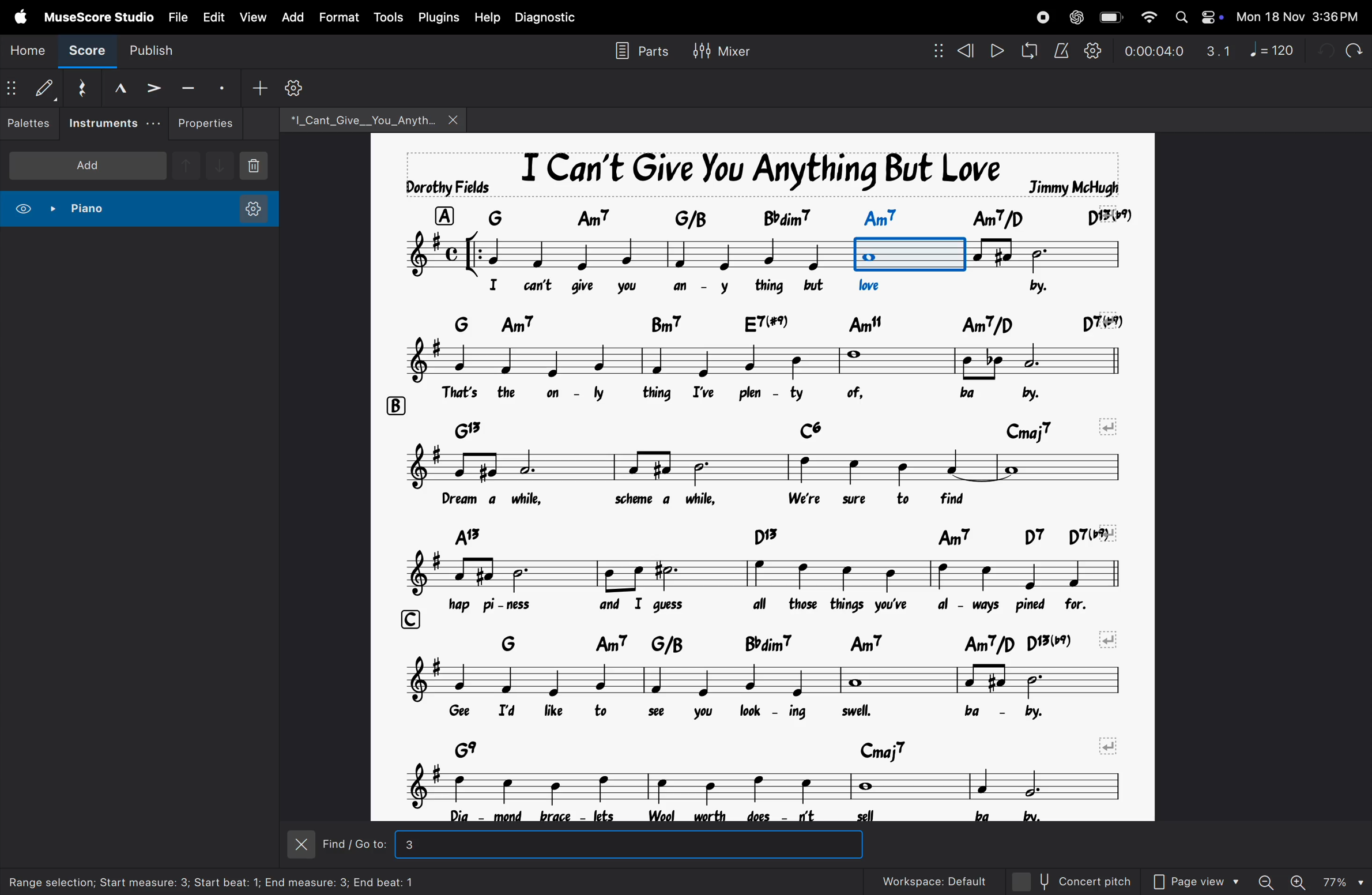  I want to click on notes, so click(1054, 253).